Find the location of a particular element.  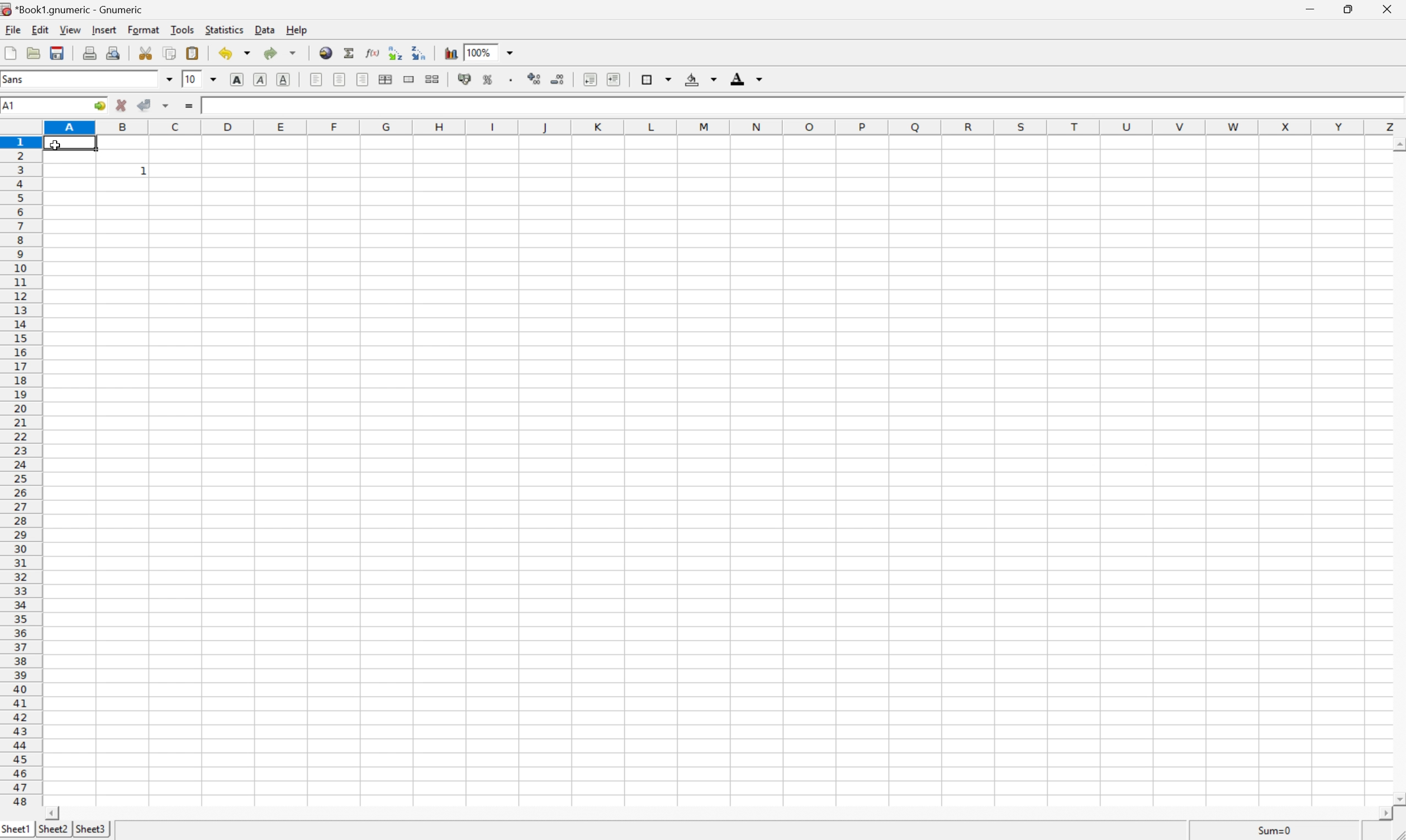

sum in current cell is located at coordinates (349, 54).